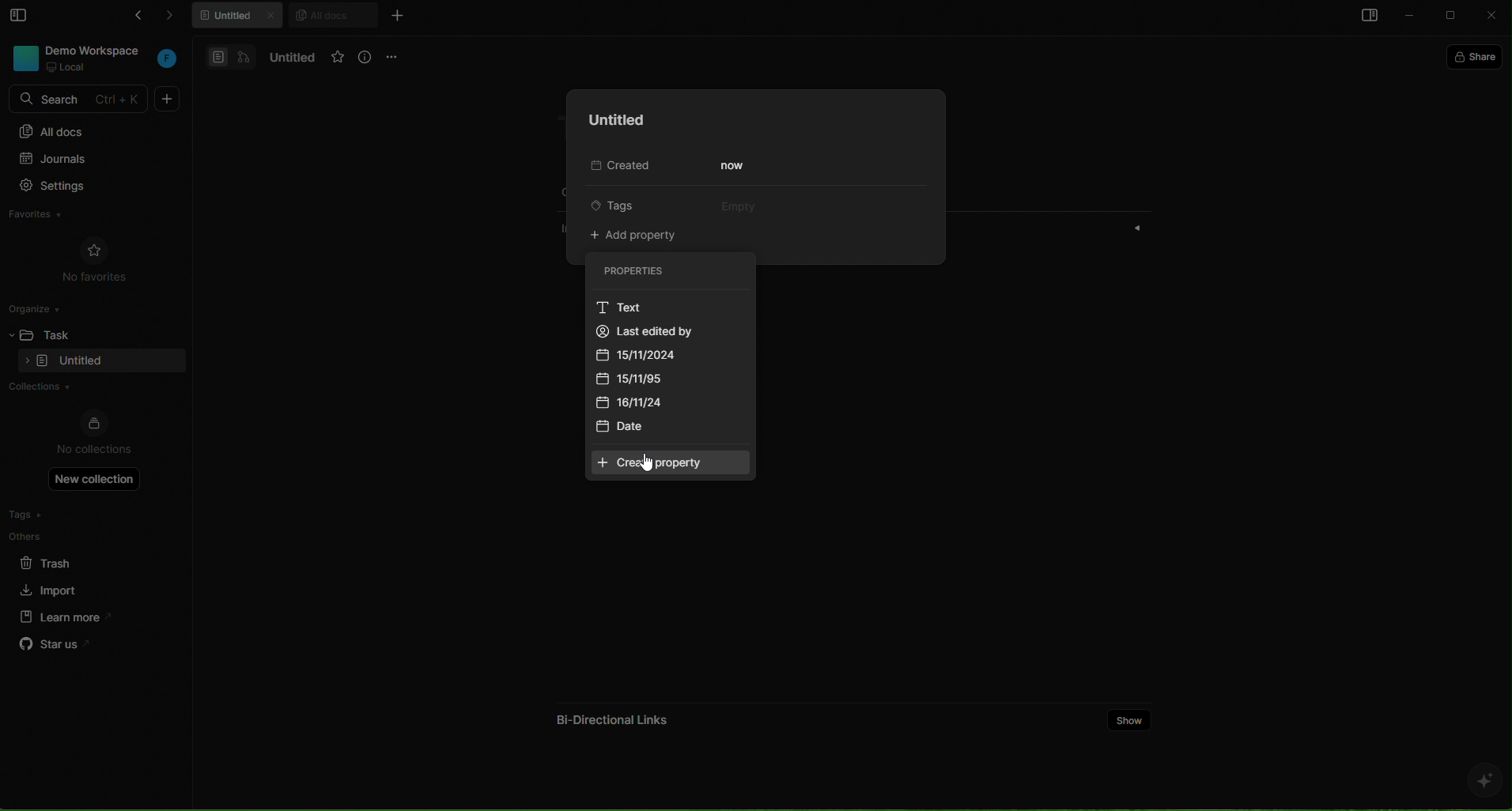 Image resolution: width=1512 pixels, height=811 pixels. What do you see at coordinates (609, 715) in the screenshot?
I see `bi directional links` at bounding box center [609, 715].